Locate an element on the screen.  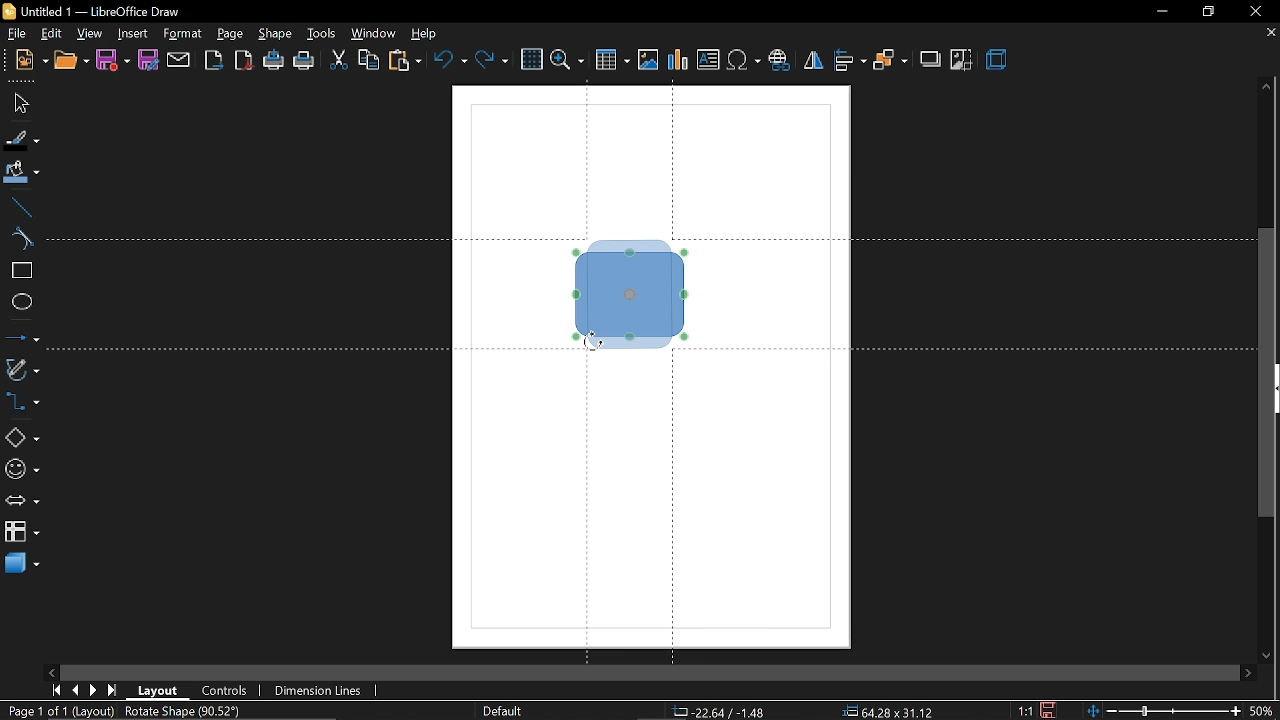
next page is located at coordinates (94, 691).